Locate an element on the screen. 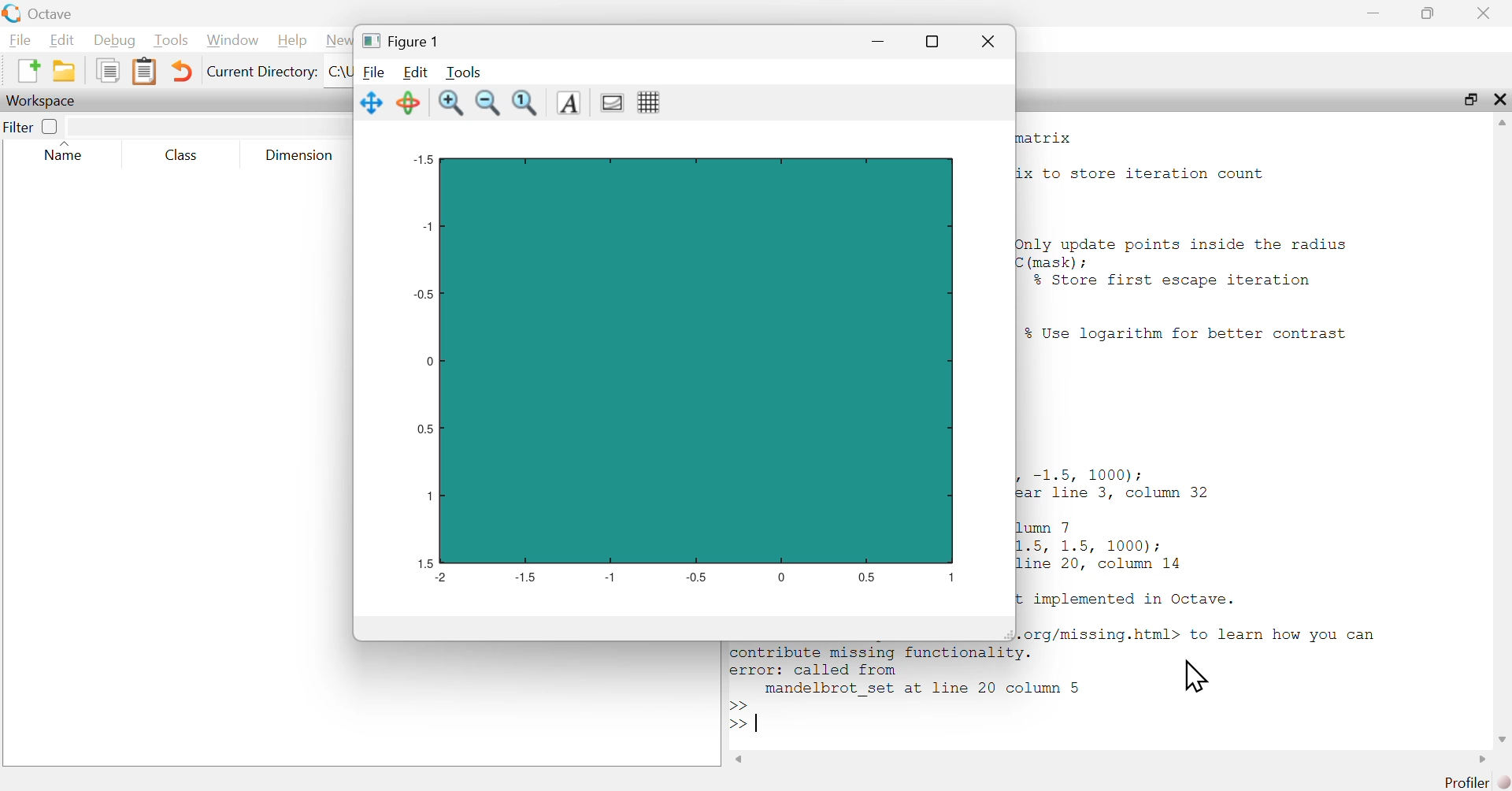  Filter is located at coordinates (32, 126).